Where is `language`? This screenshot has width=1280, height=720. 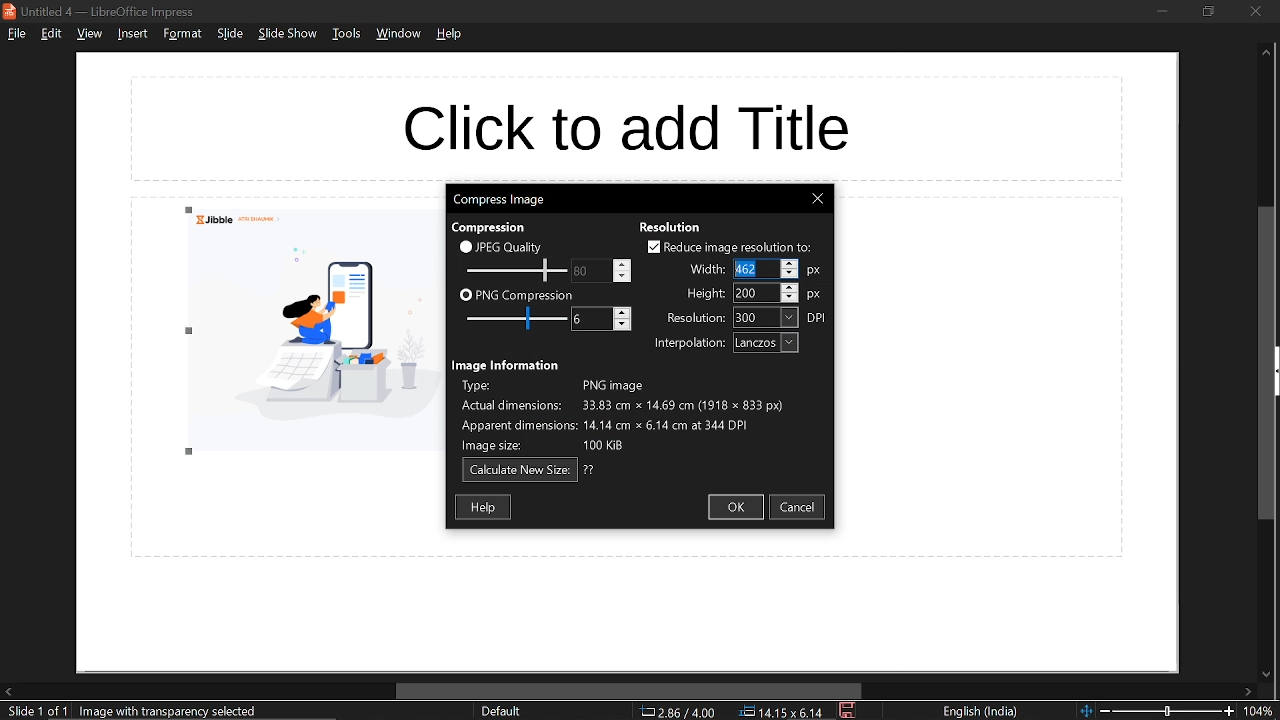 language is located at coordinates (981, 712).